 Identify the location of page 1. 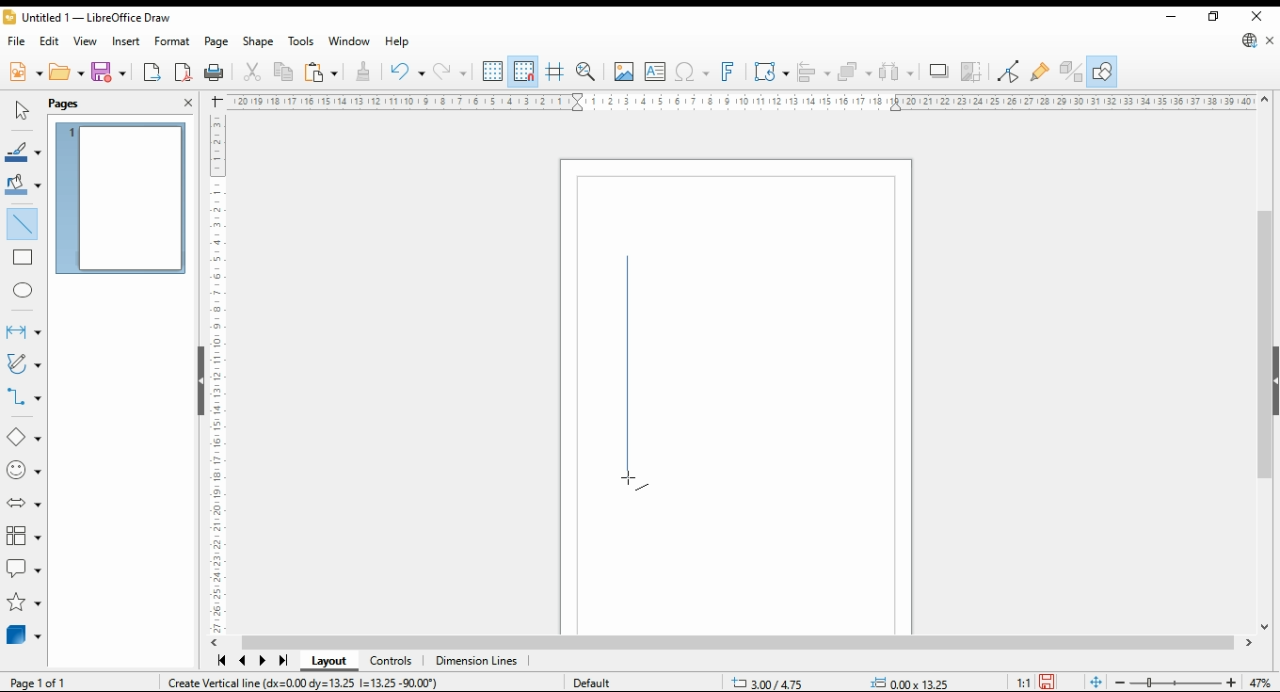
(123, 199).